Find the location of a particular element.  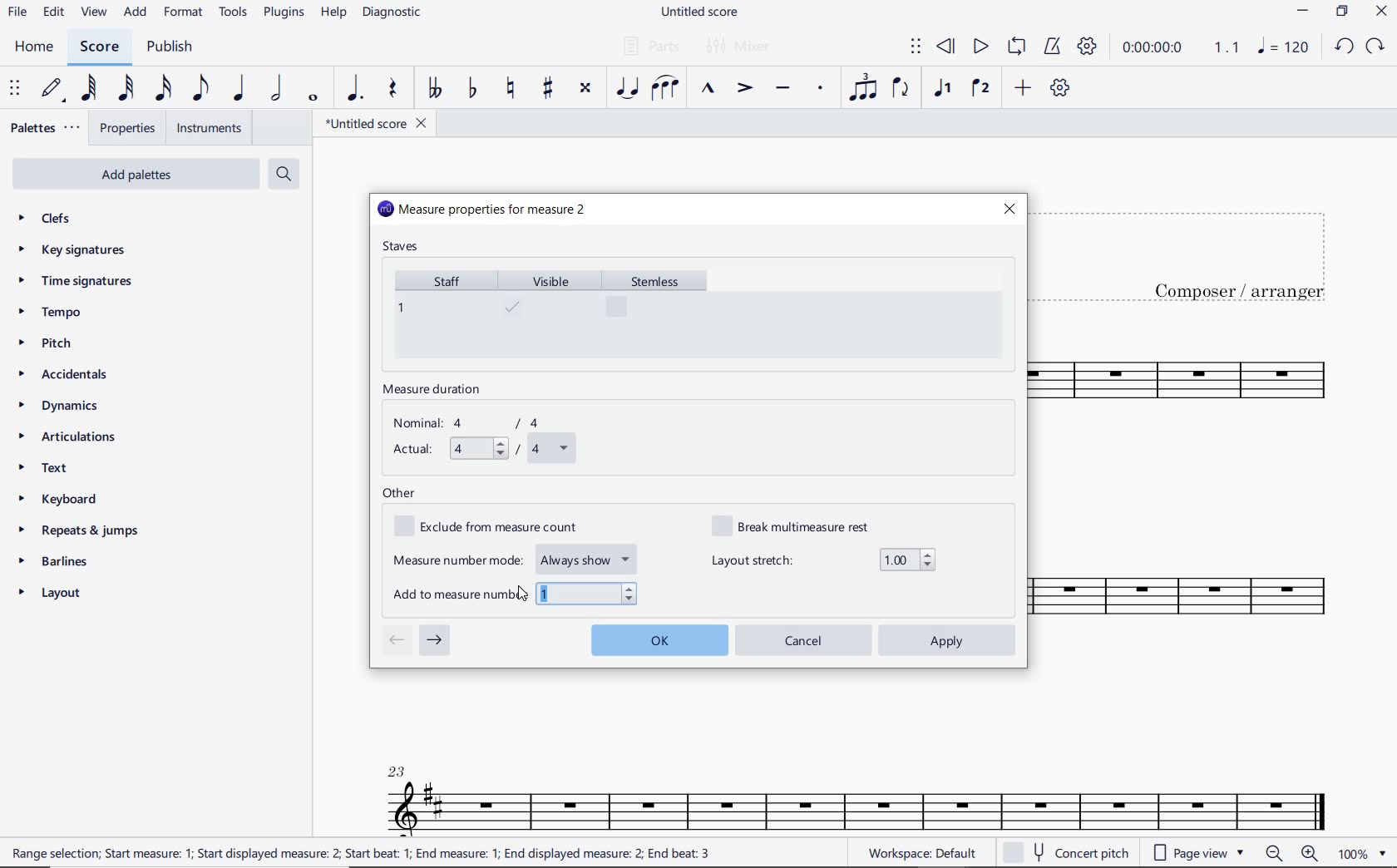

TOOLS is located at coordinates (234, 15).